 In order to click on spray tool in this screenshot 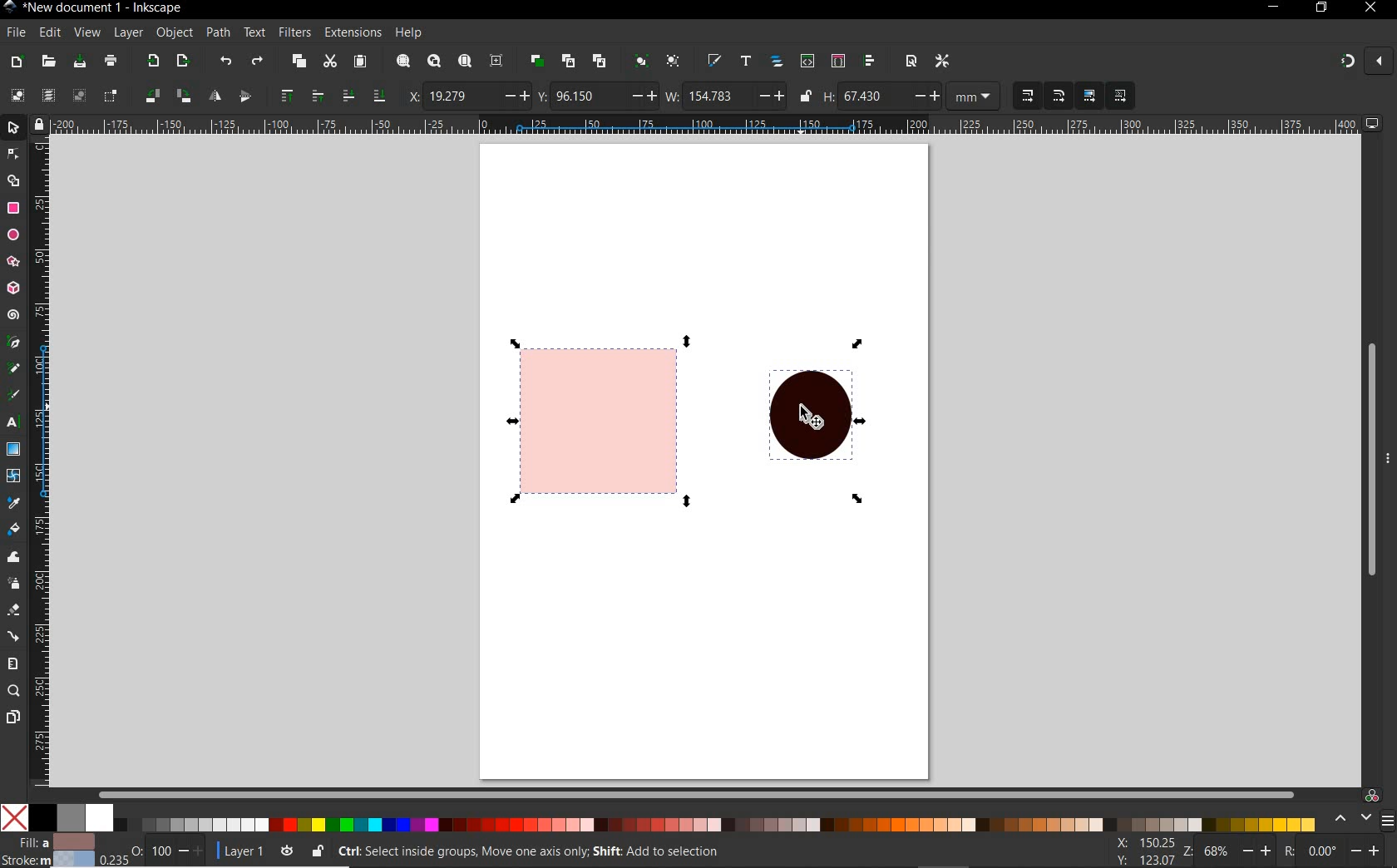, I will do `click(15, 585)`.